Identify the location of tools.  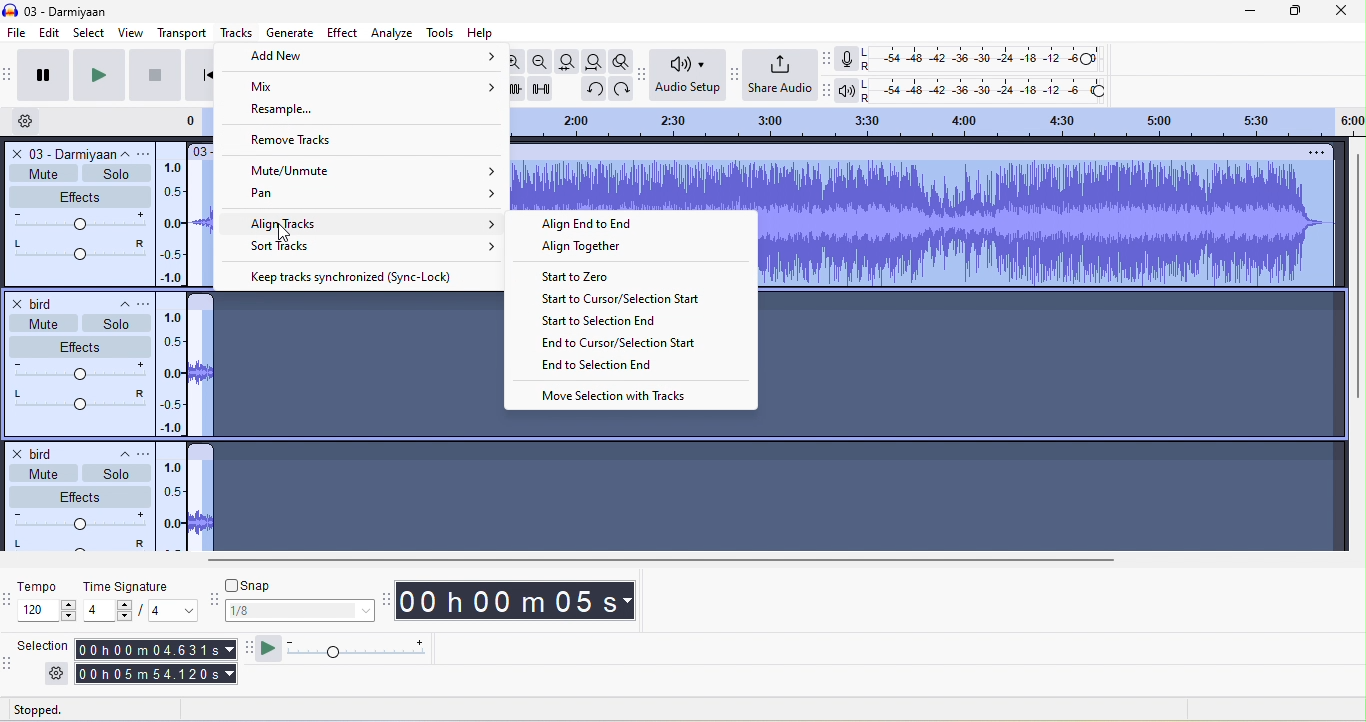
(441, 32).